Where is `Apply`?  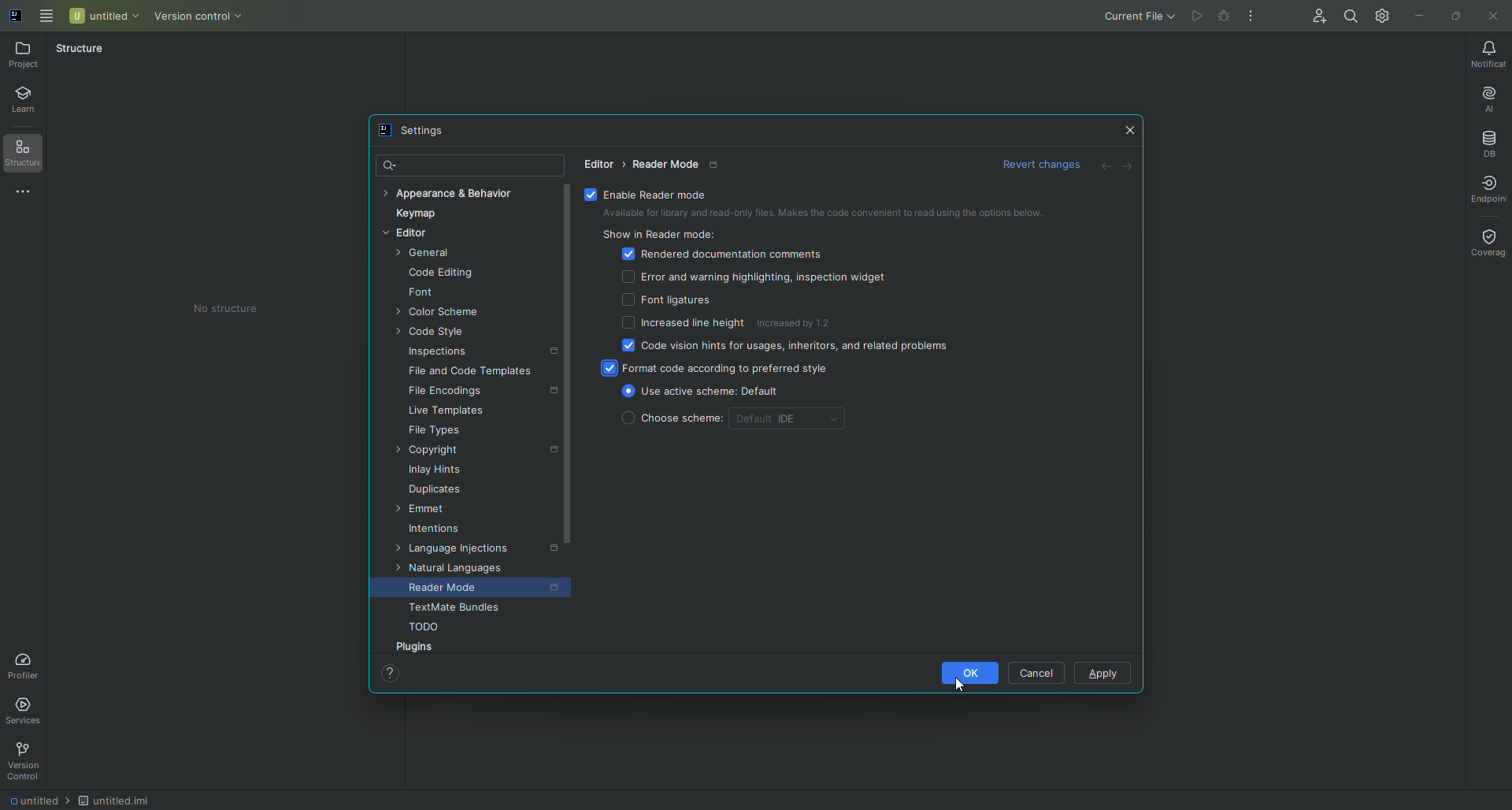 Apply is located at coordinates (1103, 674).